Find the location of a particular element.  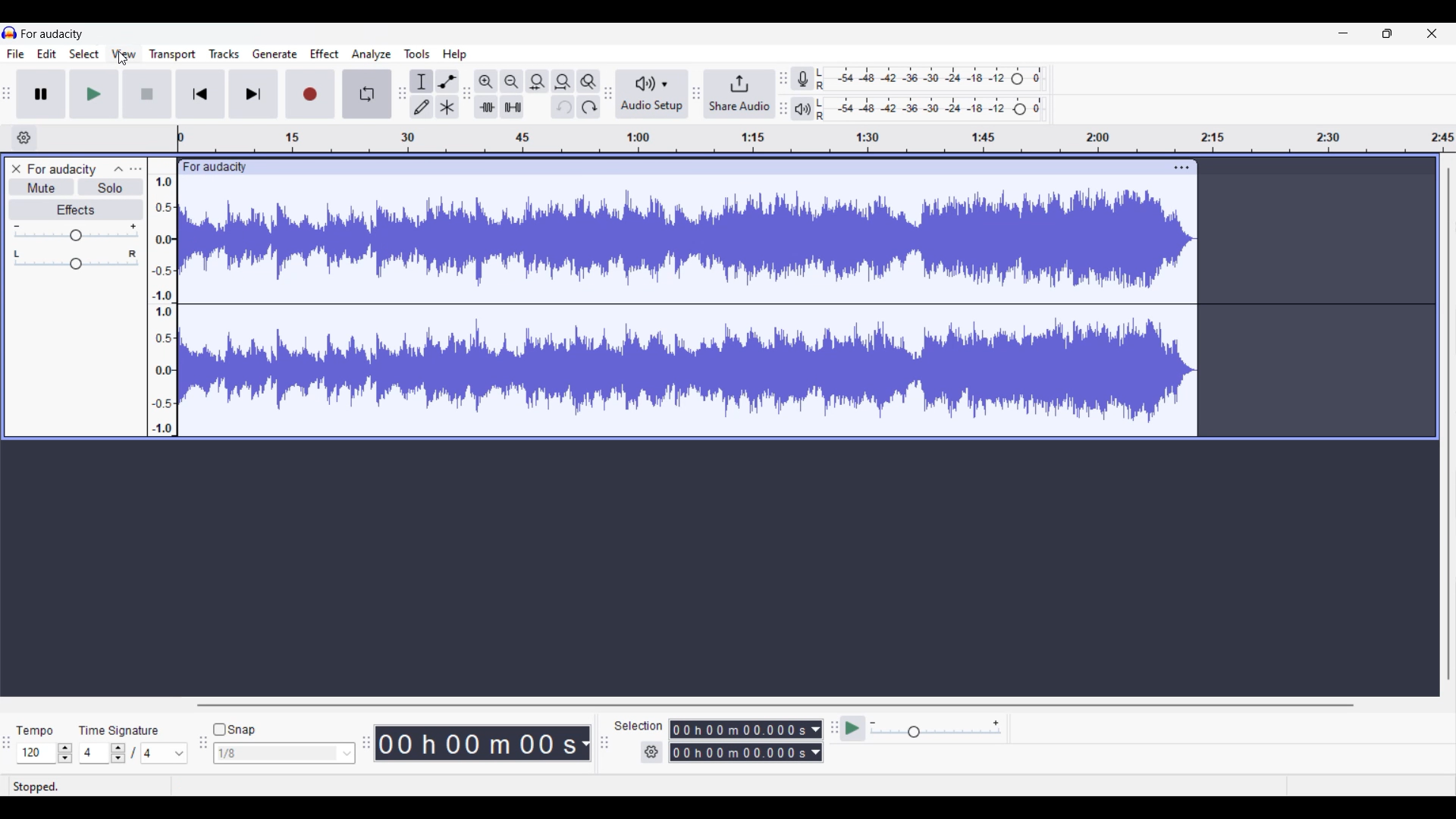

Show in smaller interface is located at coordinates (1387, 33).